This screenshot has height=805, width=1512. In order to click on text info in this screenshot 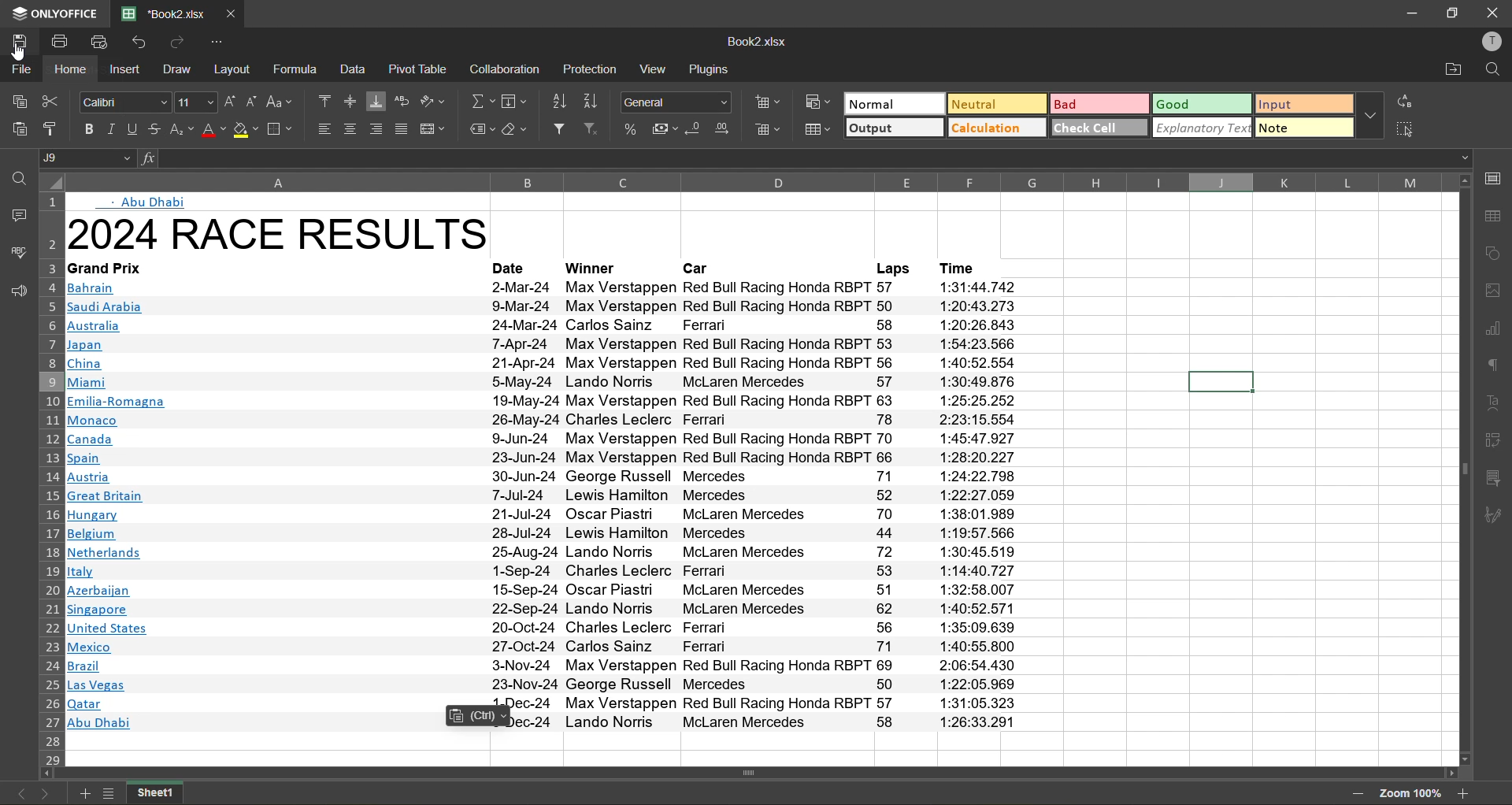, I will do `click(543, 401)`.